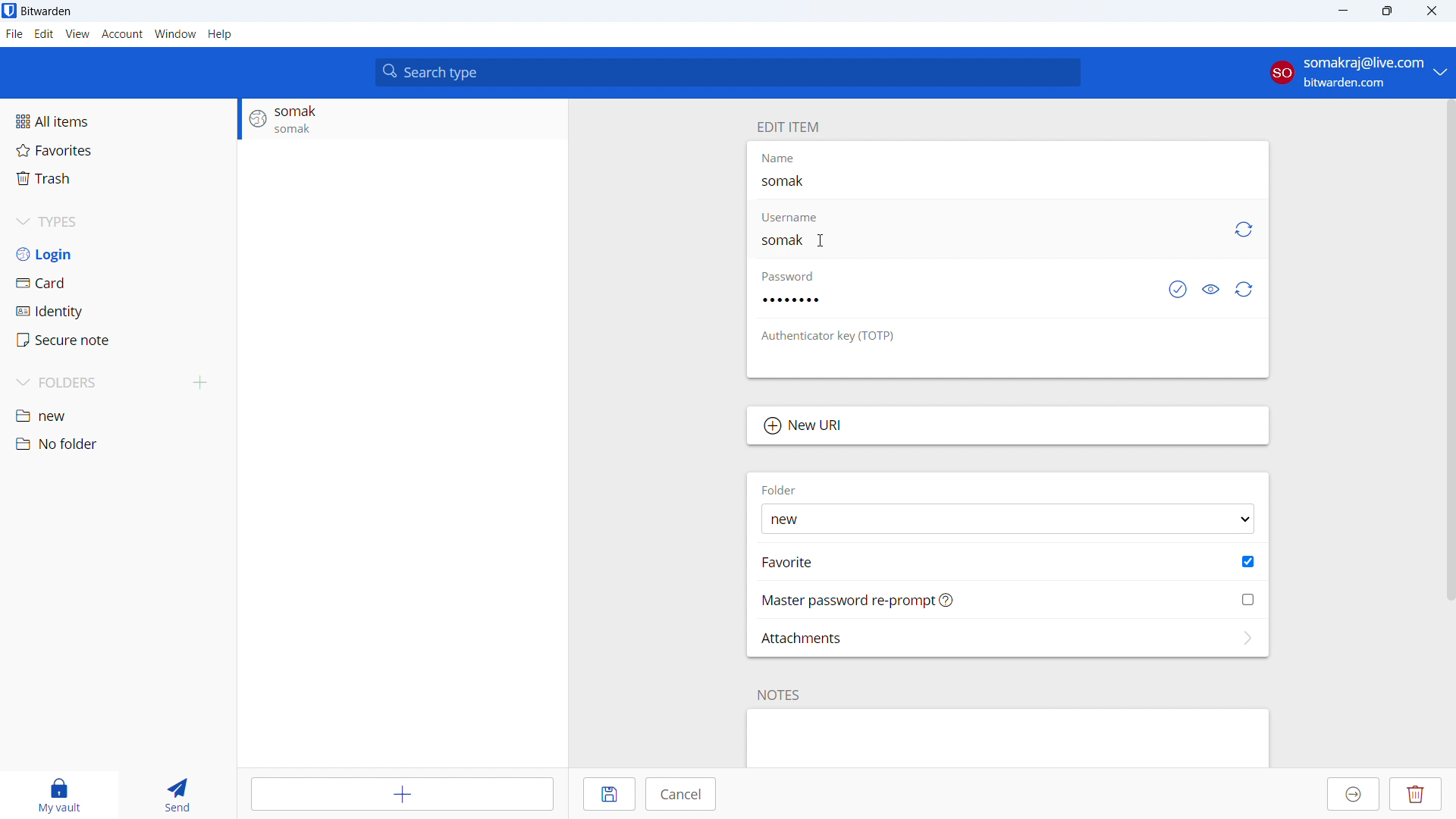  I want to click on add note, so click(1007, 739).